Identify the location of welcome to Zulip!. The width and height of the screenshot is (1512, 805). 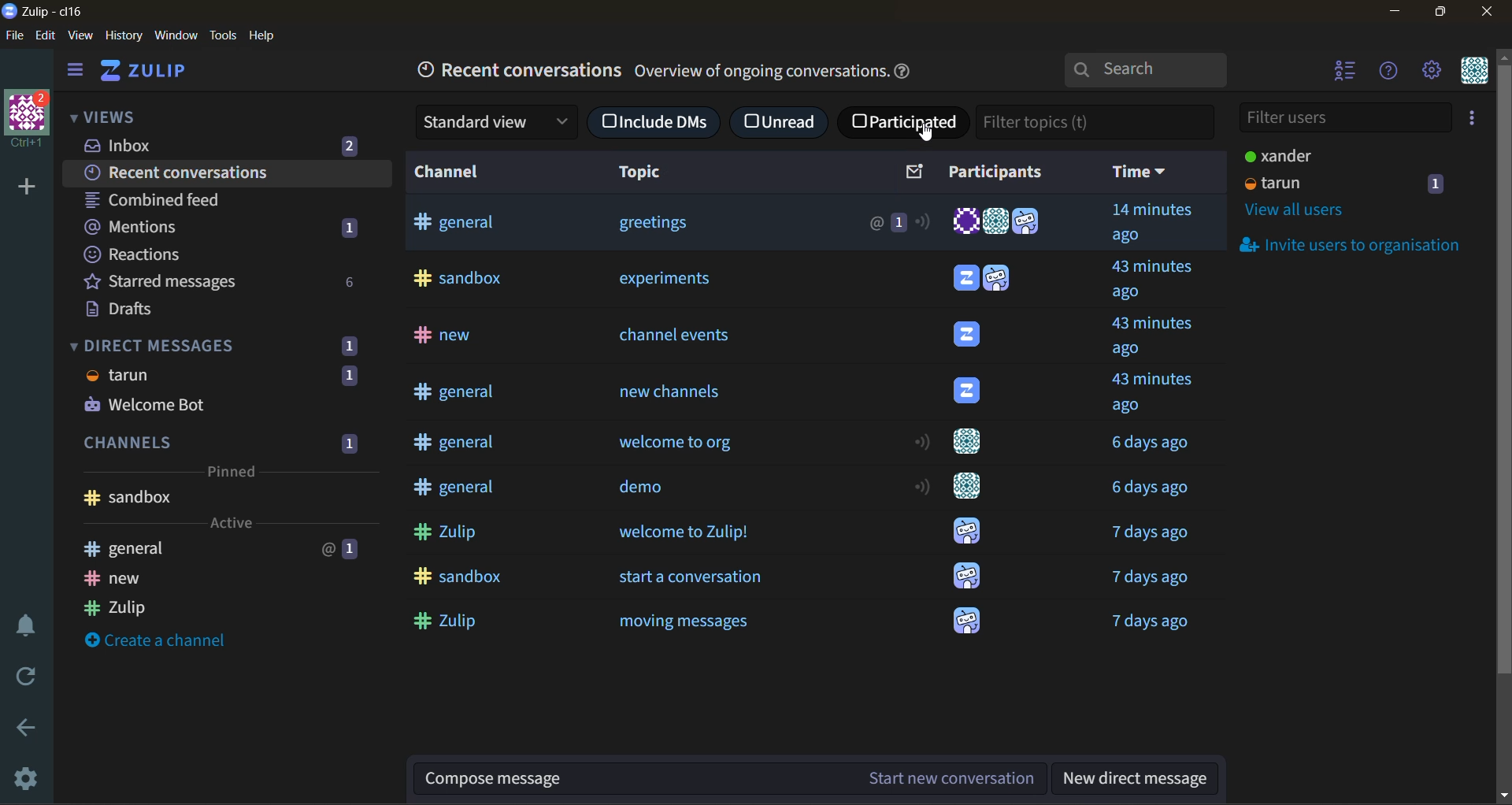
(700, 533).